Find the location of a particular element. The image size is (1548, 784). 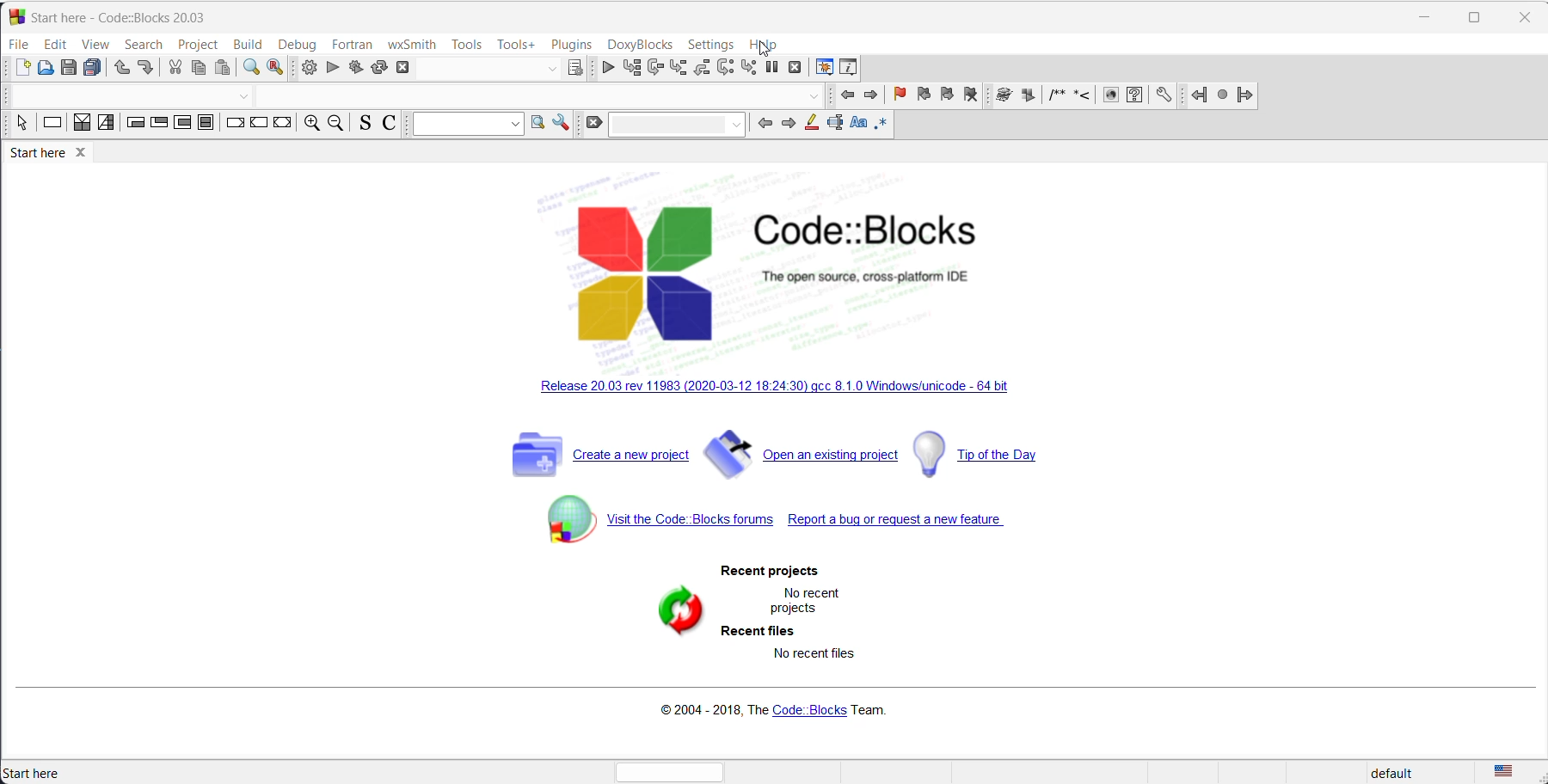

build and run is located at coordinates (355, 70).